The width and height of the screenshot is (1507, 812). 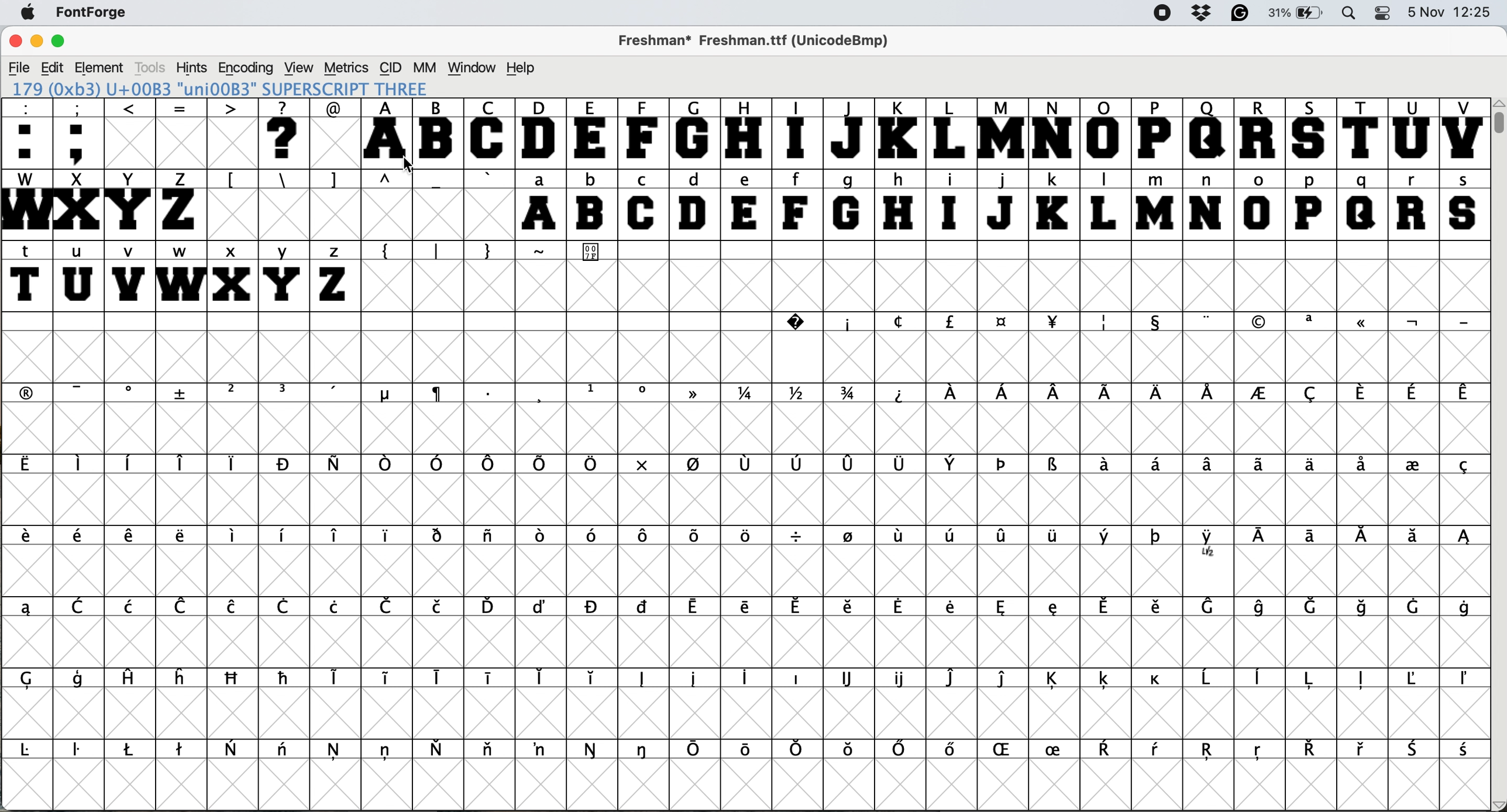 I want to click on symbol, so click(x=1210, y=466).